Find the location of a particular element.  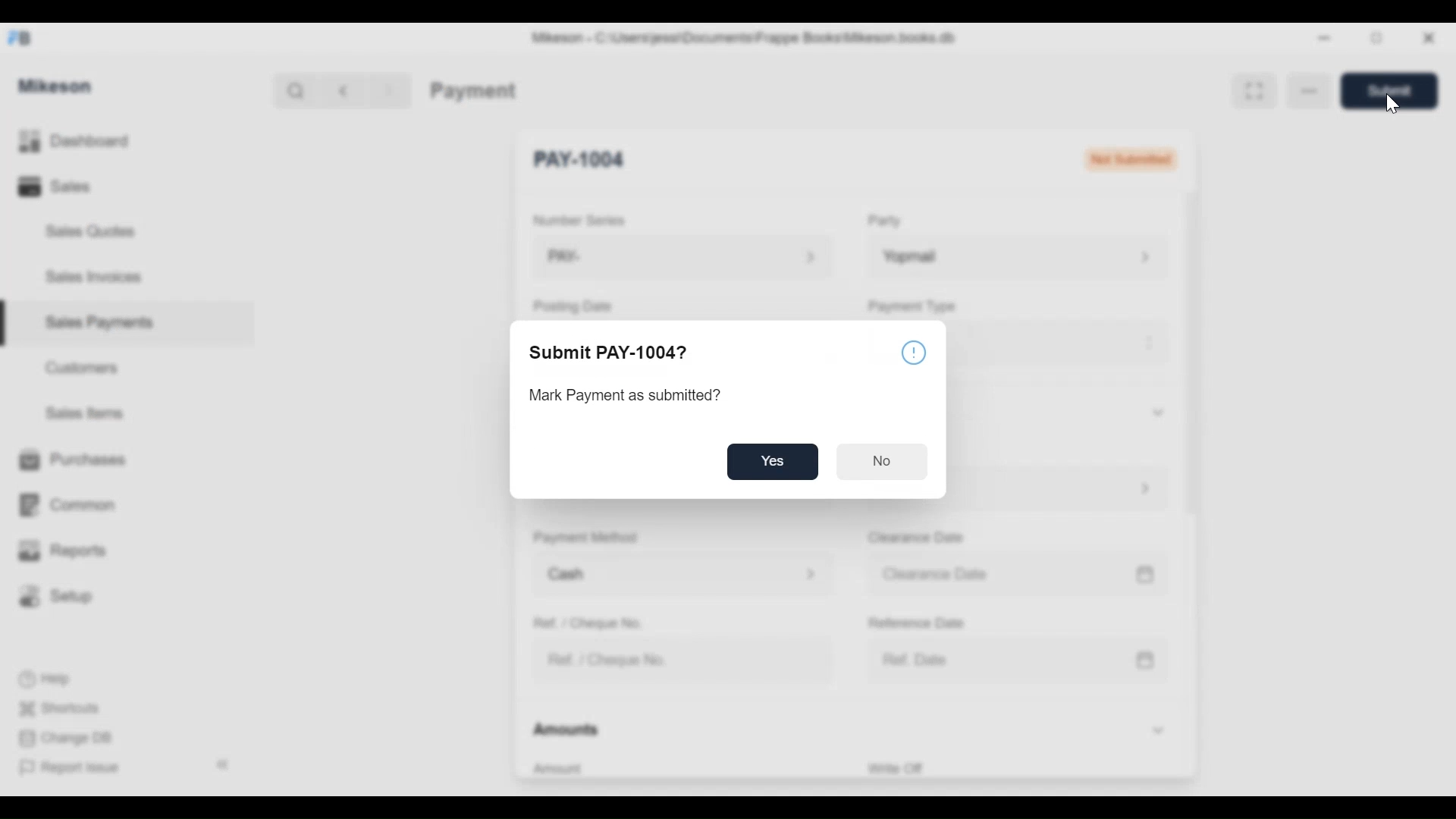

Customers is located at coordinates (86, 366).